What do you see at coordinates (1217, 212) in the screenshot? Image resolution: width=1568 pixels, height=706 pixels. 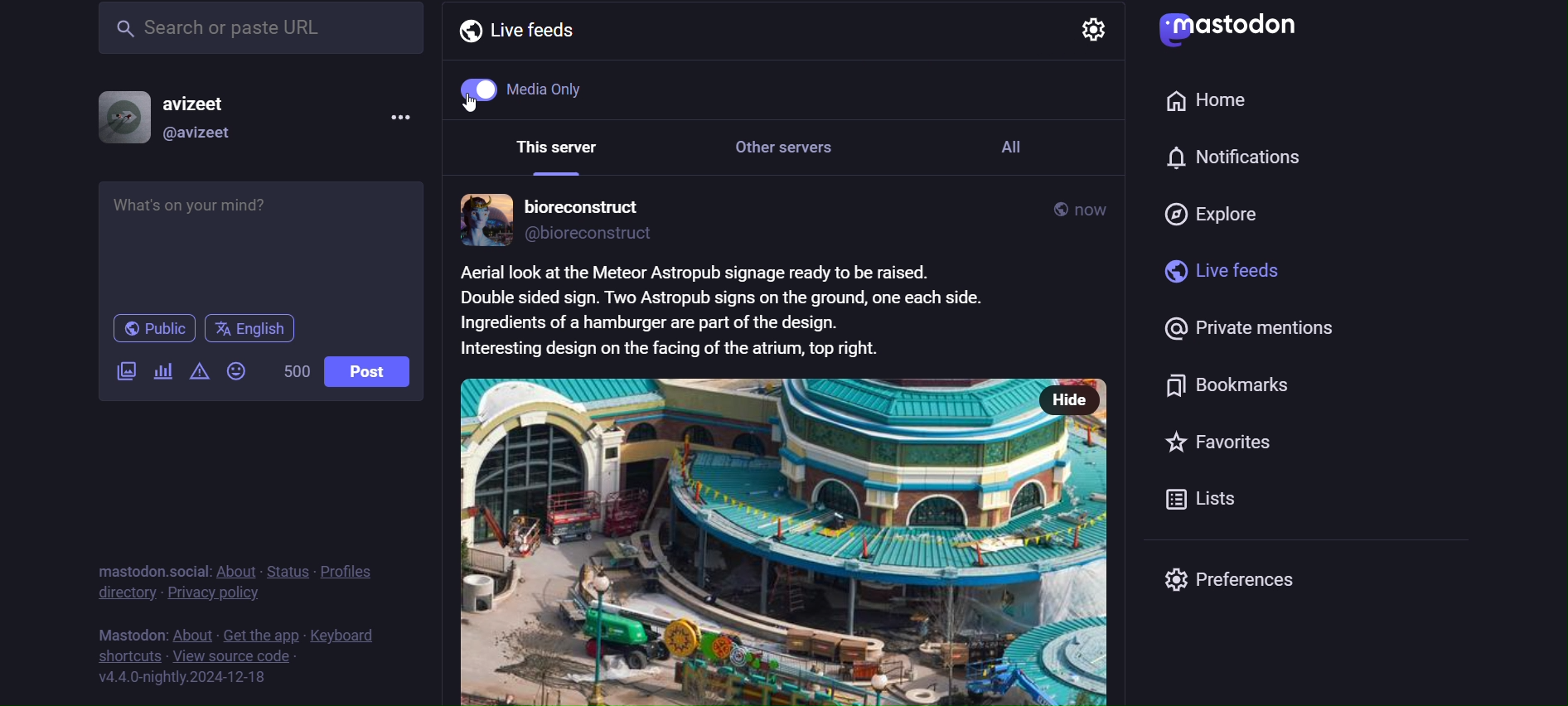 I see `explore` at bounding box center [1217, 212].